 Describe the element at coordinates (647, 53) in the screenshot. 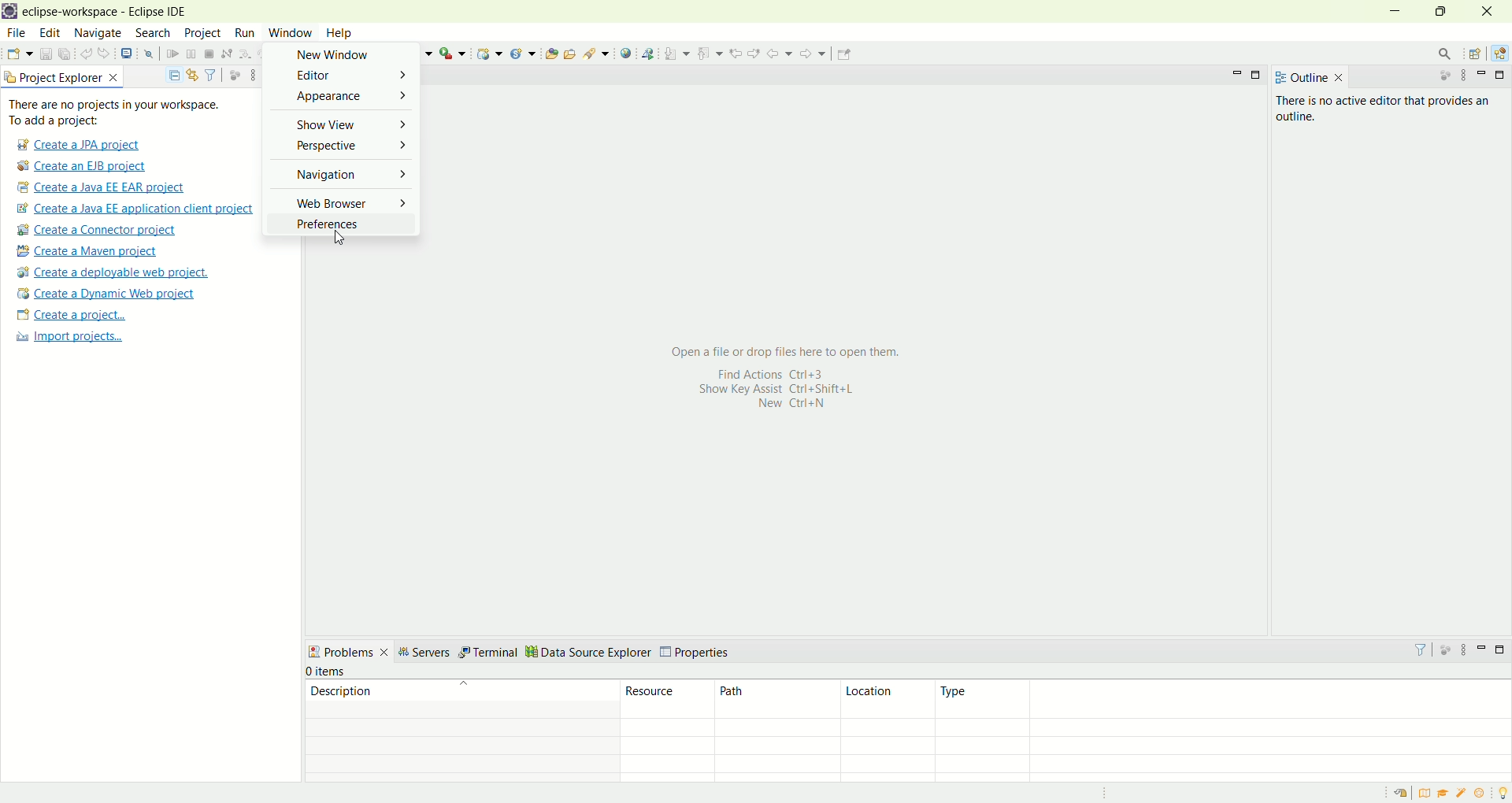

I see `web service explorer` at that location.